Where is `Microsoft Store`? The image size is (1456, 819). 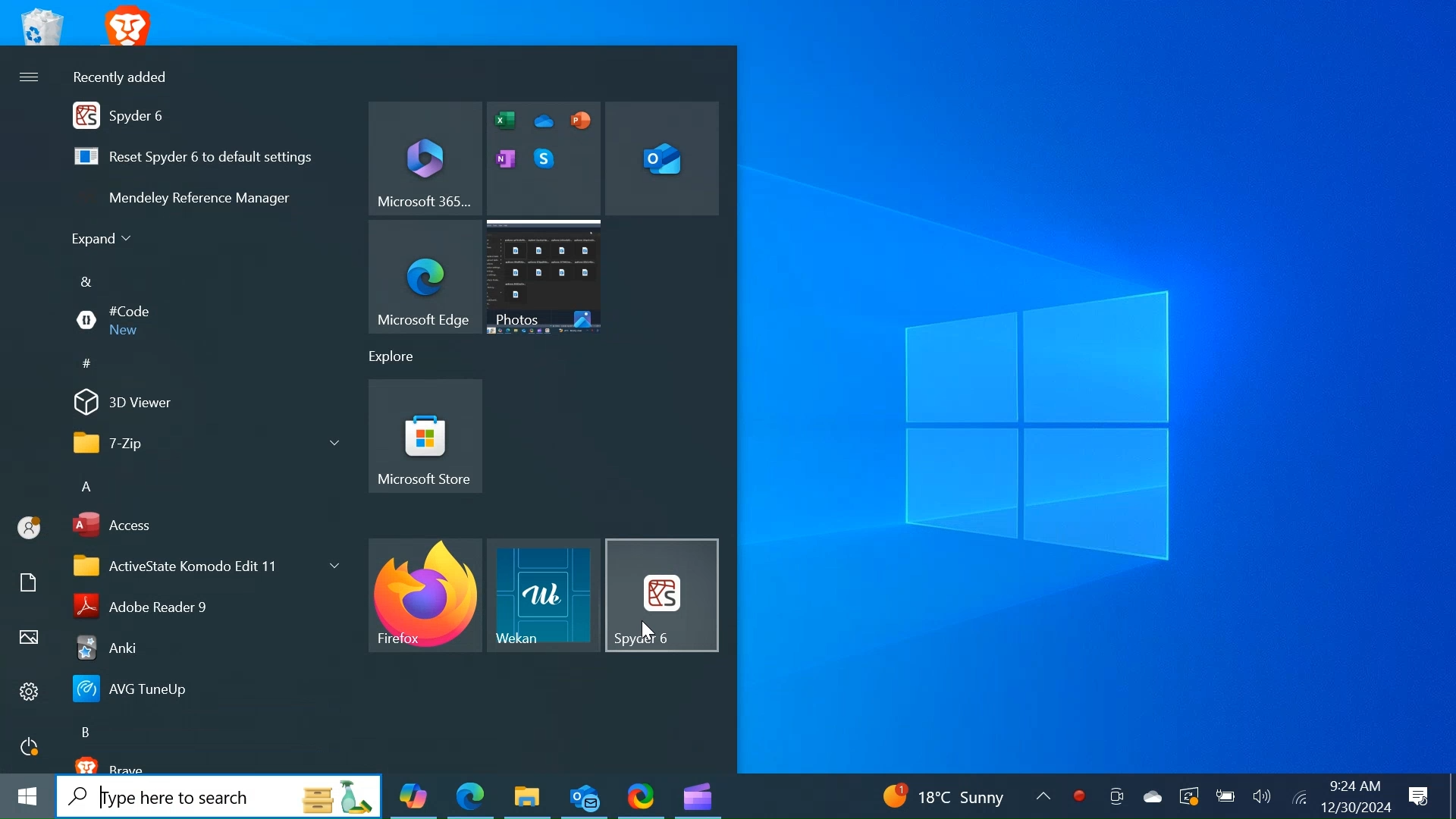 Microsoft Store is located at coordinates (426, 437).